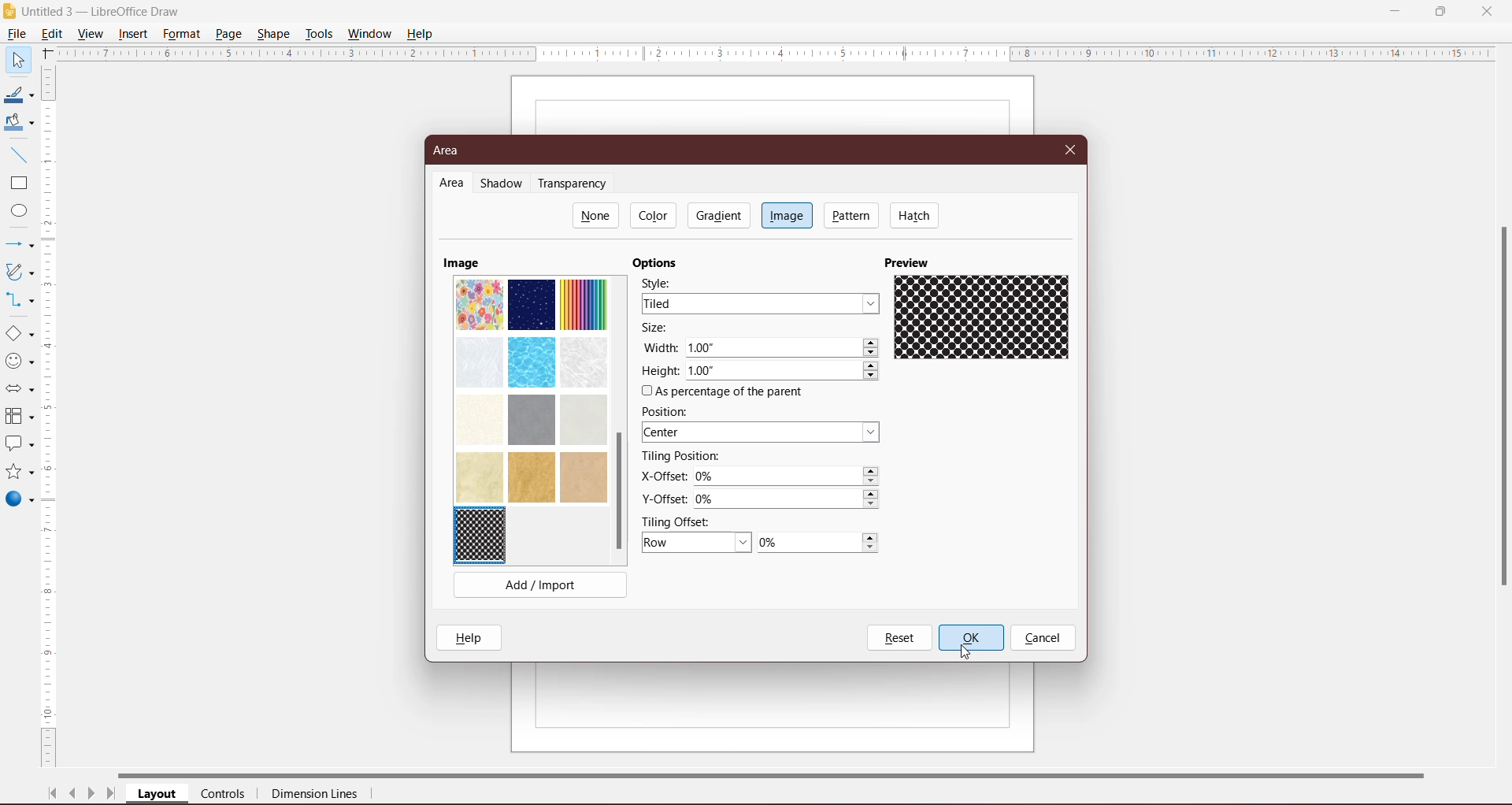  I want to click on Horizontal Scroll Bar, so click(788, 773).